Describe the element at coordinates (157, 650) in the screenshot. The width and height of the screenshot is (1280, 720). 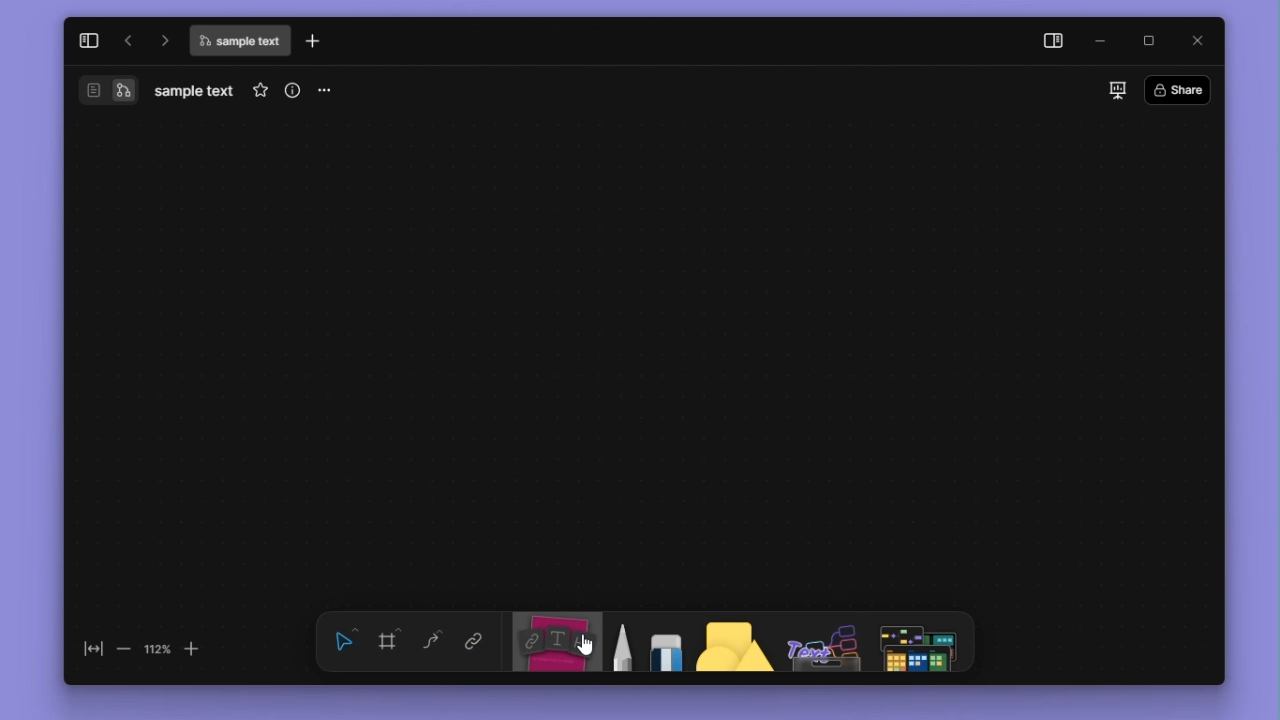
I see `112%` at that location.